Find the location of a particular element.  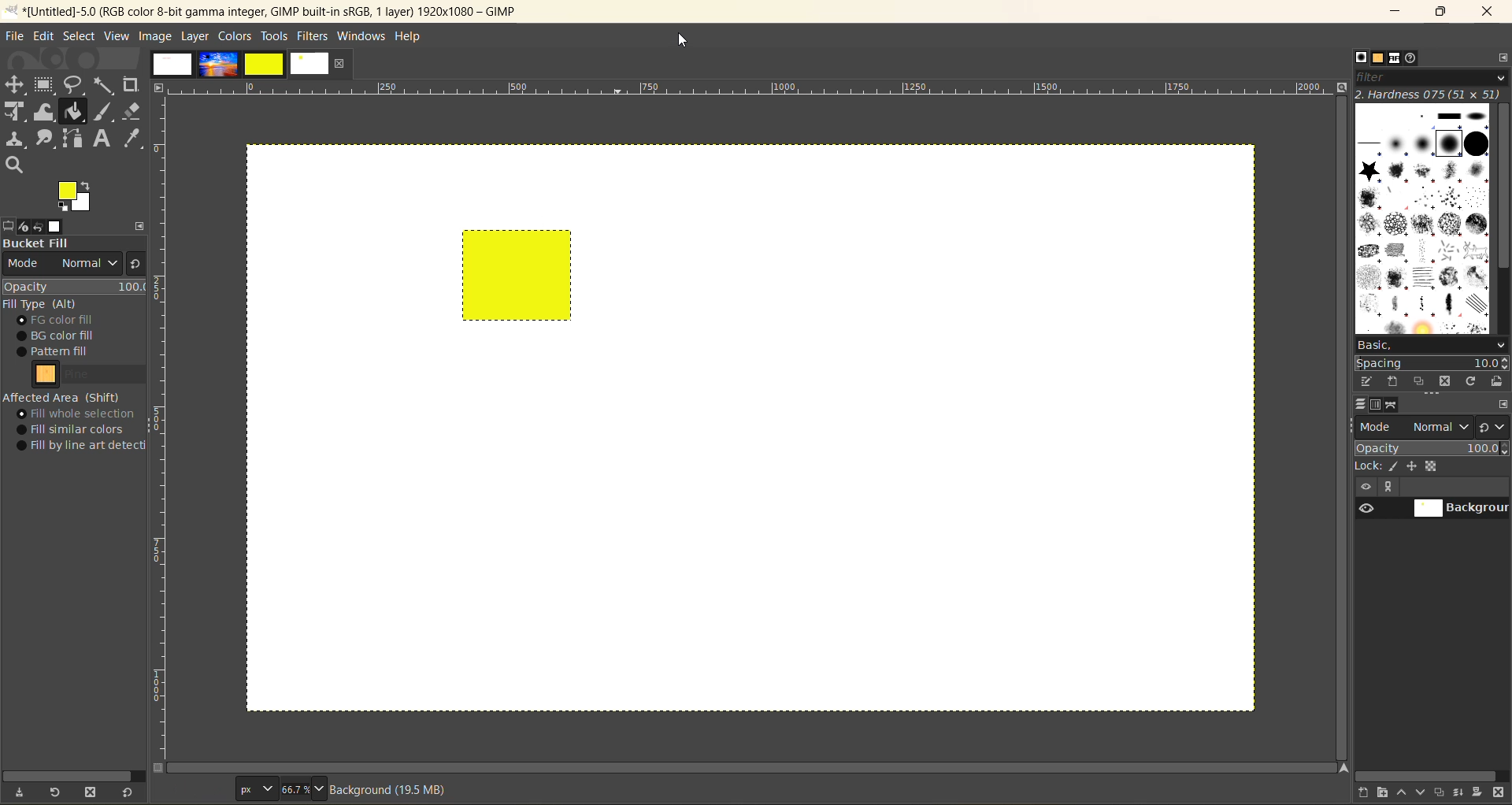

hide is located at coordinates (1365, 488).